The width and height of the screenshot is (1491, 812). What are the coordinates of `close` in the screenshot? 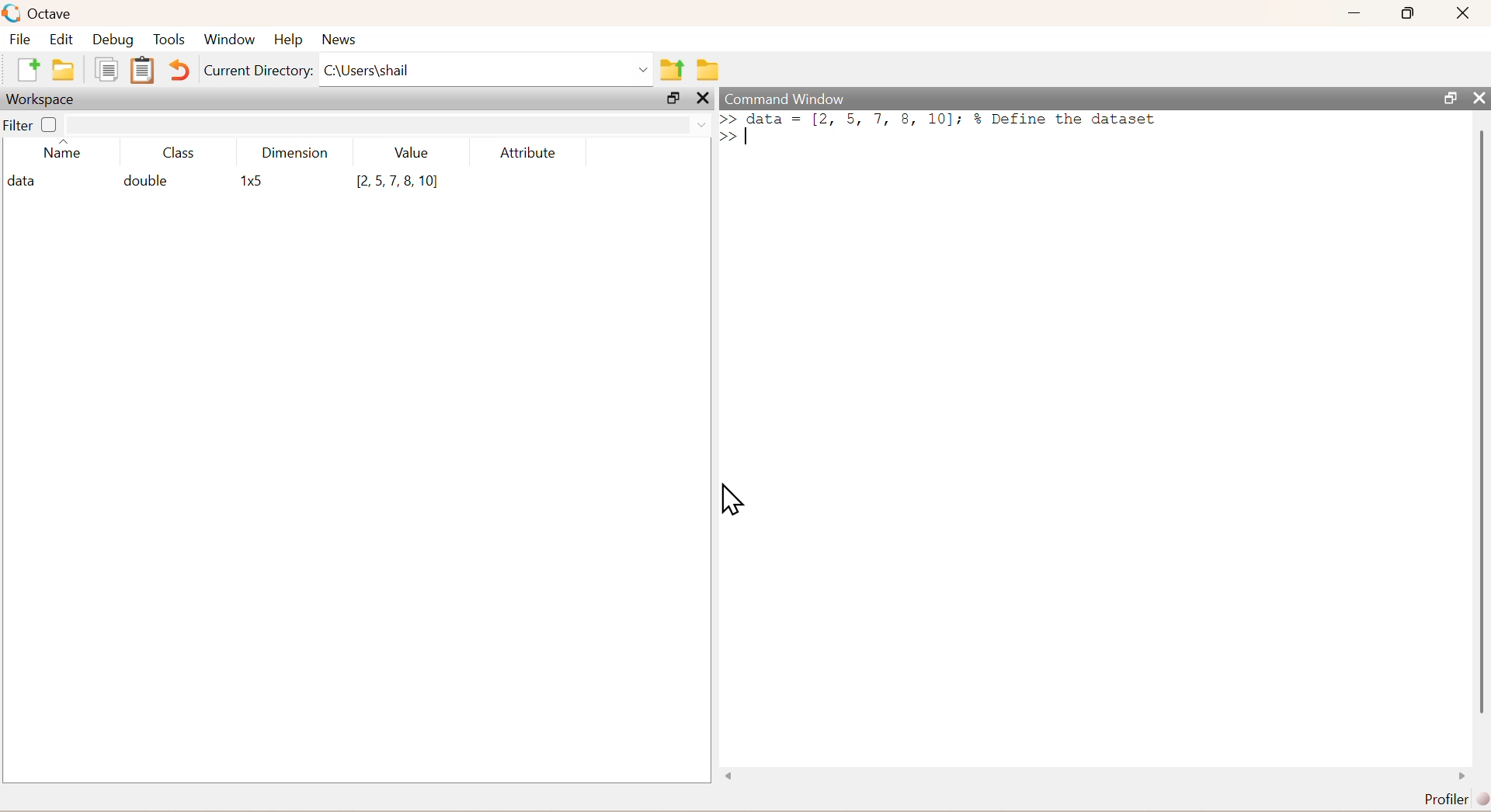 It's located at (1479, 98).